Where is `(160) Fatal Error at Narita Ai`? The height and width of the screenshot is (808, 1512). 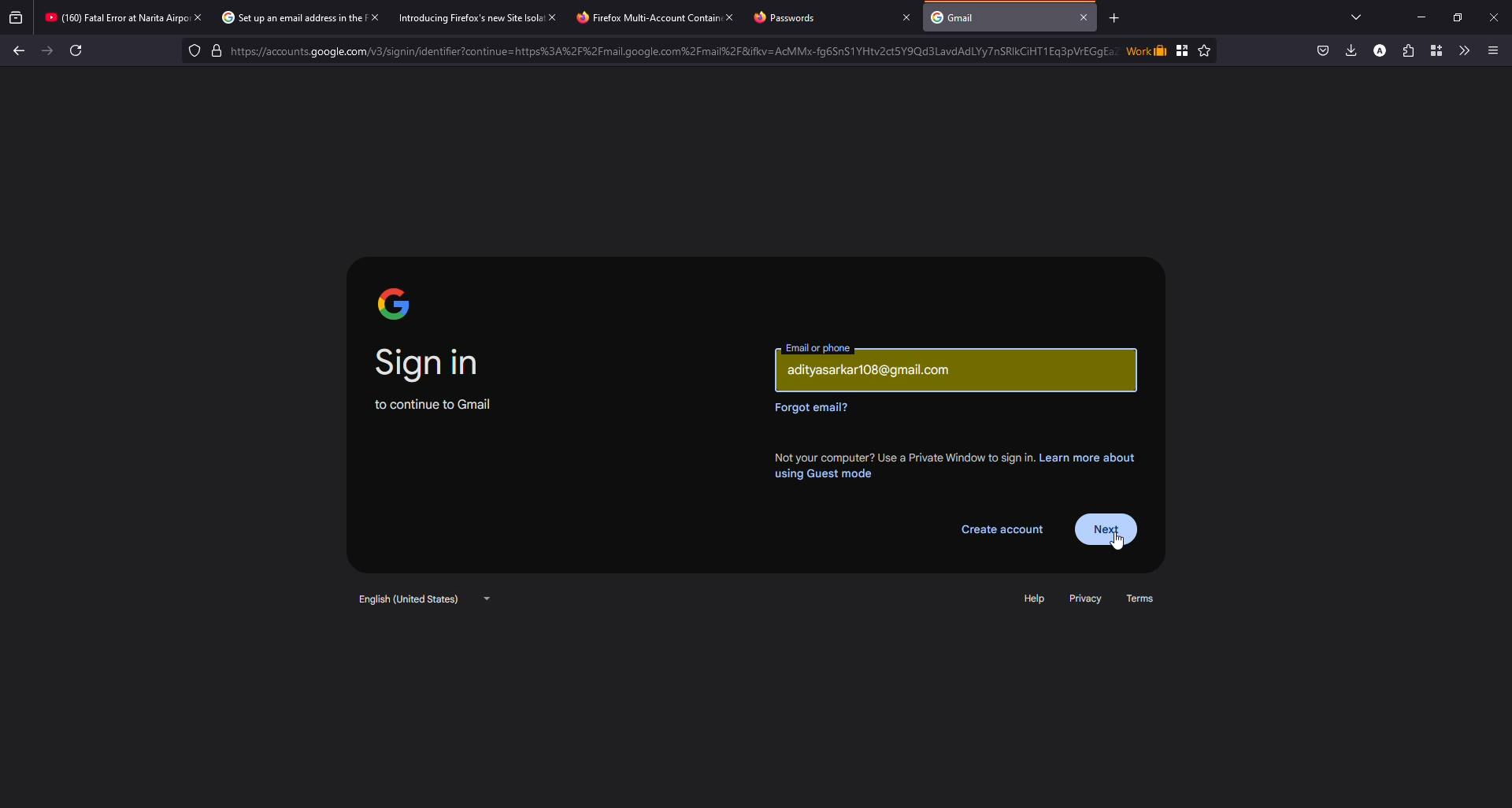
(160) Fatal Error at Narita Ai is located at coordinates (109, 17).